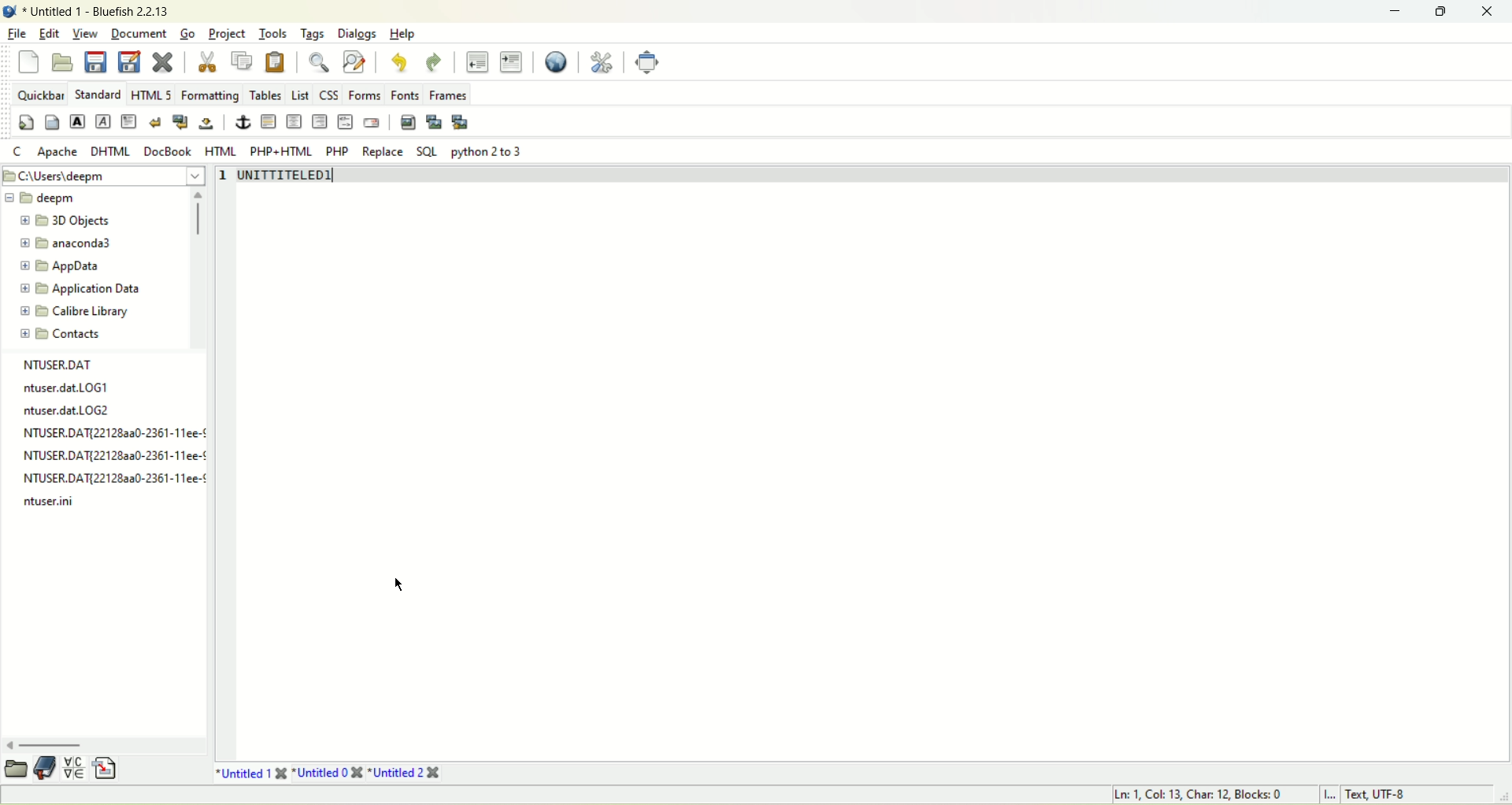 The image size is (1512, 805). I want to click on list , so click(301, 96).